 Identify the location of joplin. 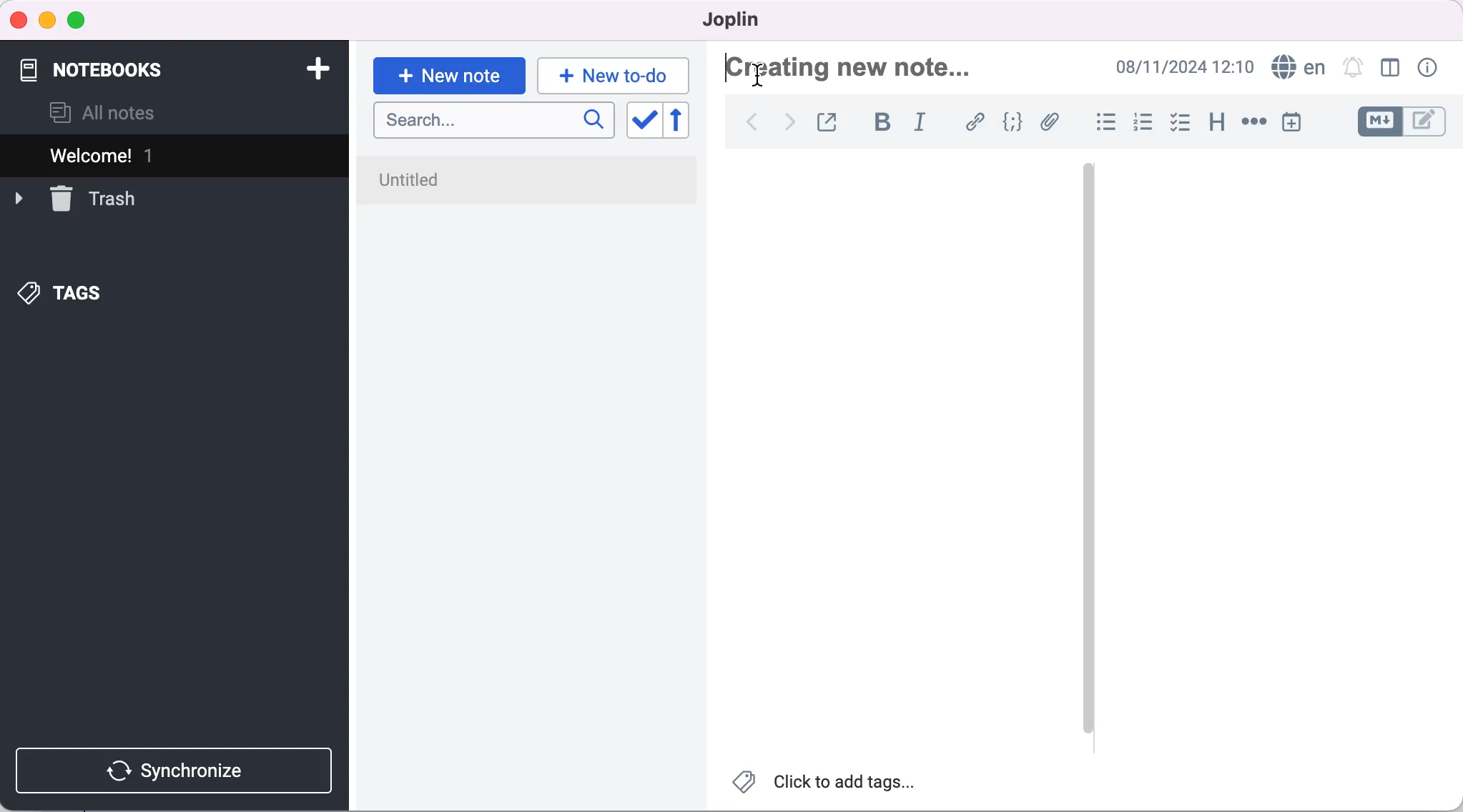
(735, 21).